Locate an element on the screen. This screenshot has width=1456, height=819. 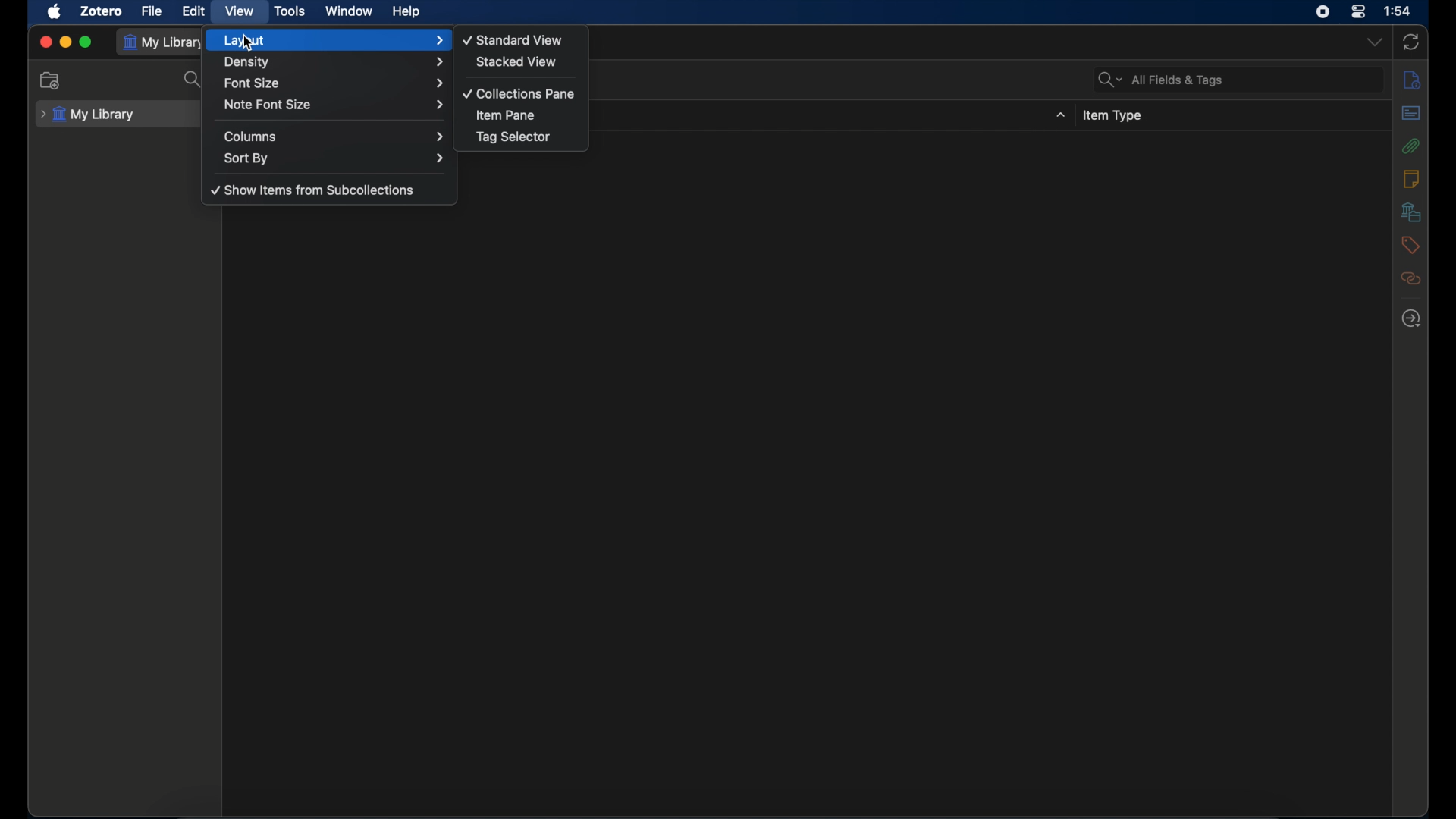
font size is located at coordinates (334, 83).